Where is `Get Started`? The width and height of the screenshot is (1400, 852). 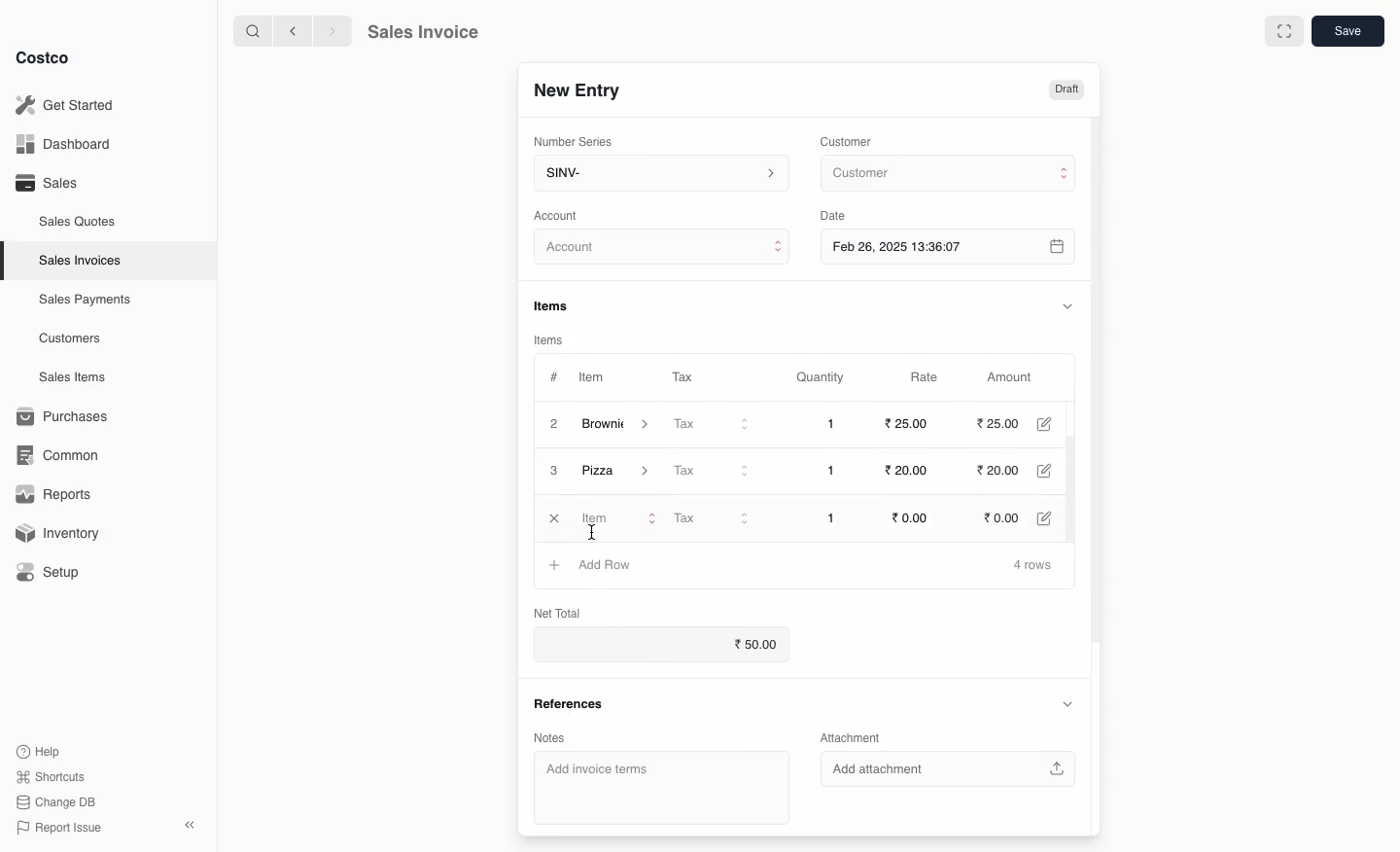
Get Started is located at coordinates (64, 104).